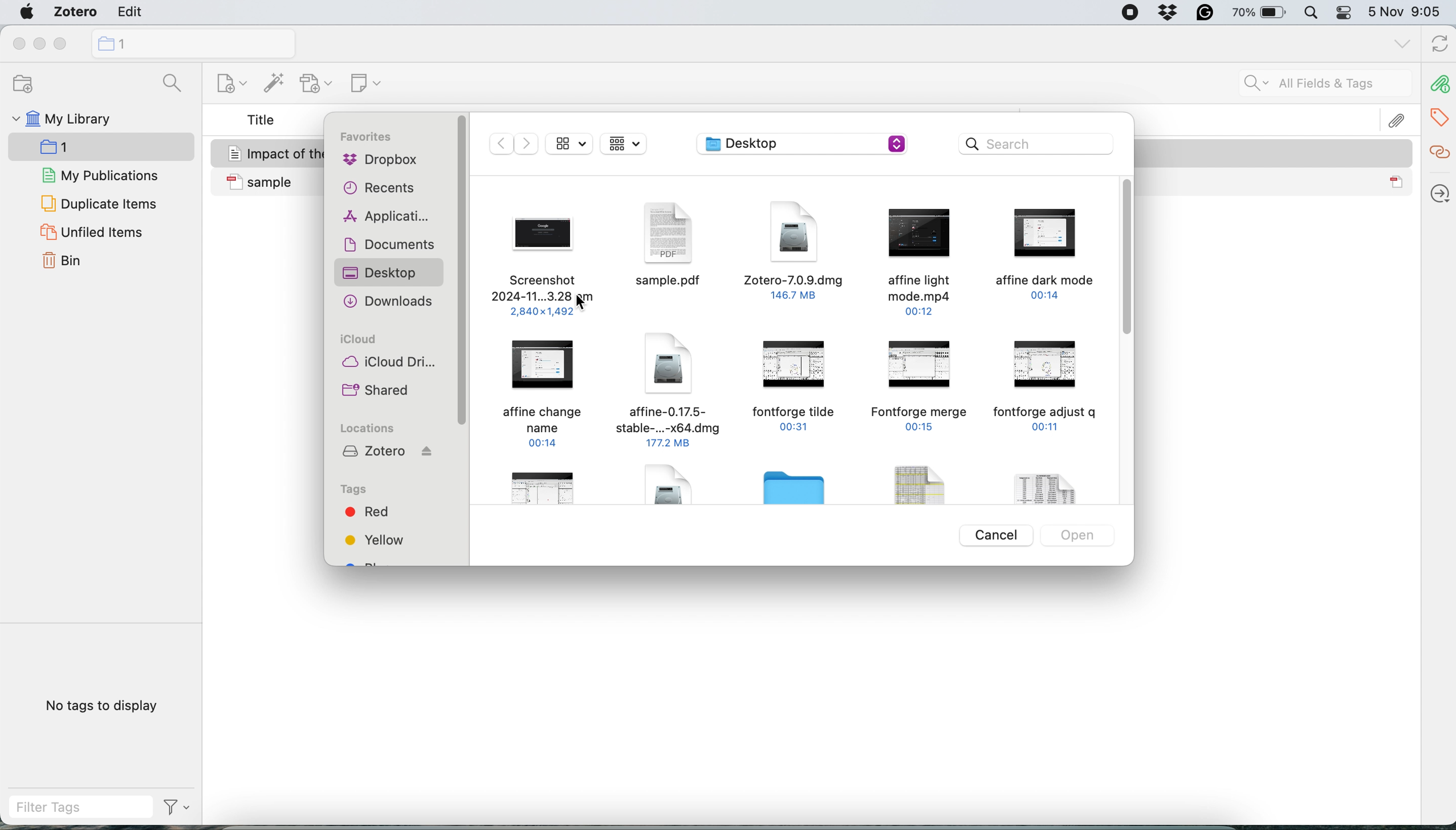  What do you see at coordinates (1081, 537) in the screenshot?
I see `open` at bounding box center [1081, 537].